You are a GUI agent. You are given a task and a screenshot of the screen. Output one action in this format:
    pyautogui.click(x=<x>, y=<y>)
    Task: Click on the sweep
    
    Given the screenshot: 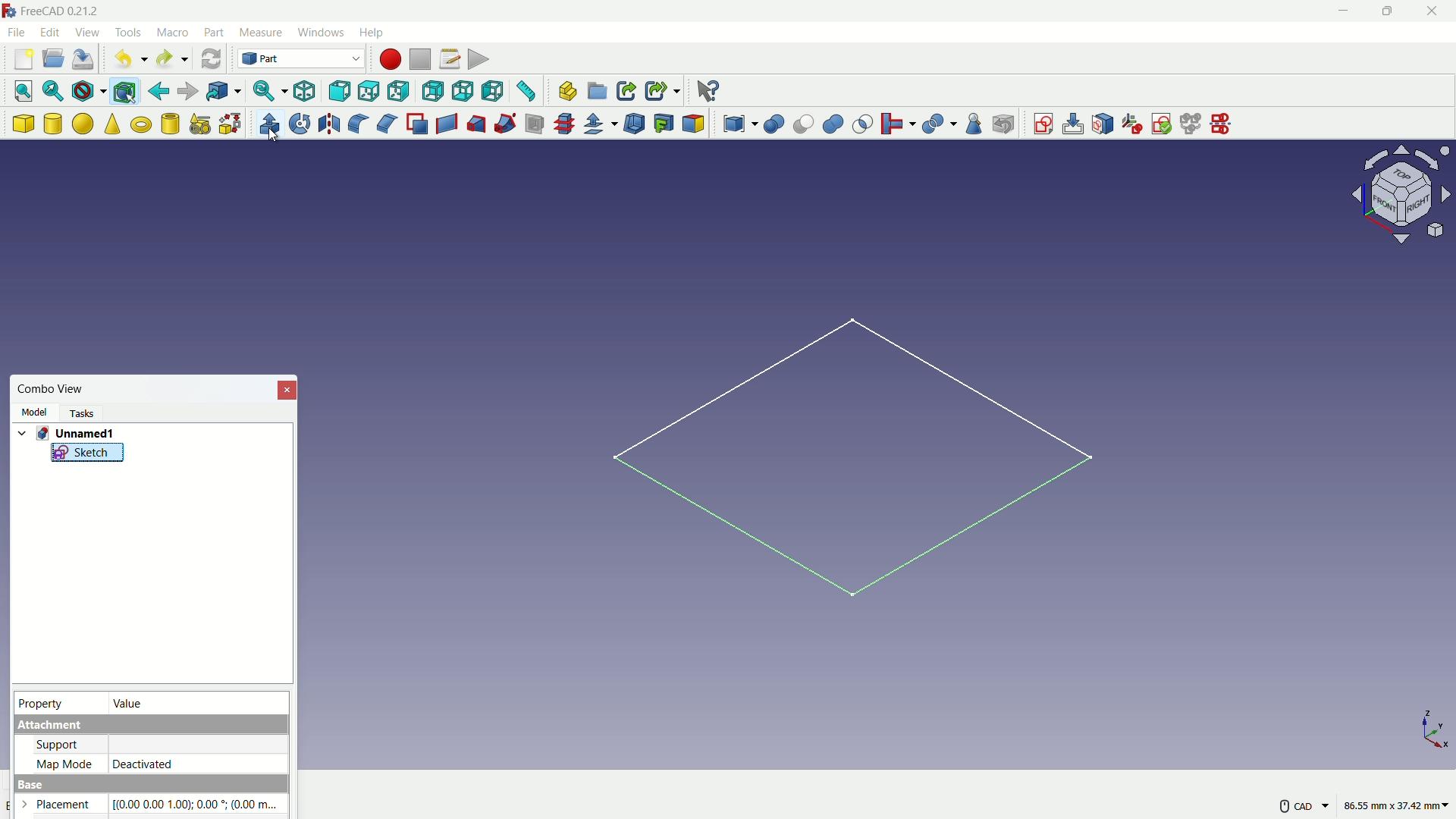 What is the action you would take?
    pyautogui.click(x=505, y=125)
    